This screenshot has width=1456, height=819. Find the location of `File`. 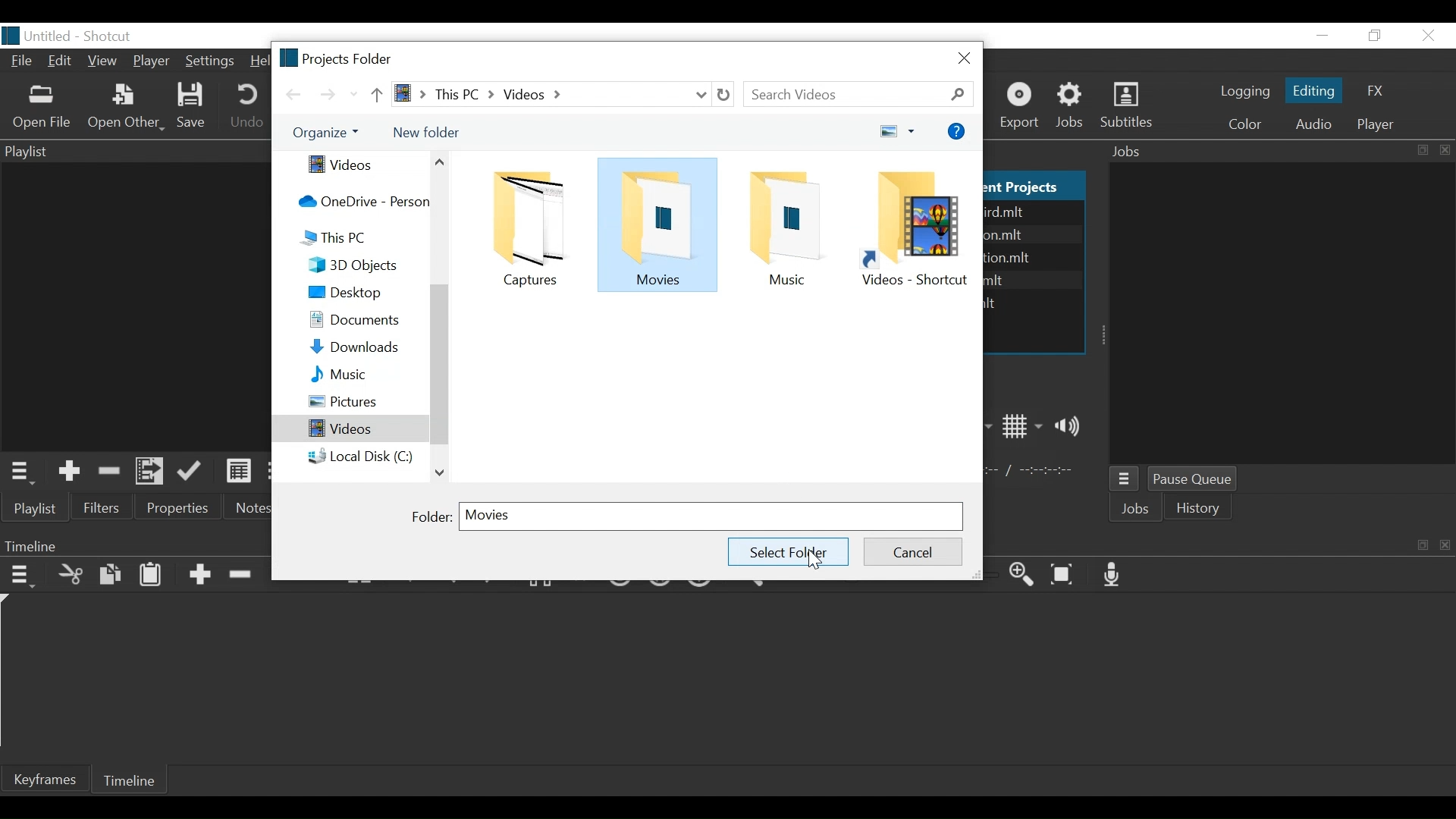

File is located at coordinates (22, 62).